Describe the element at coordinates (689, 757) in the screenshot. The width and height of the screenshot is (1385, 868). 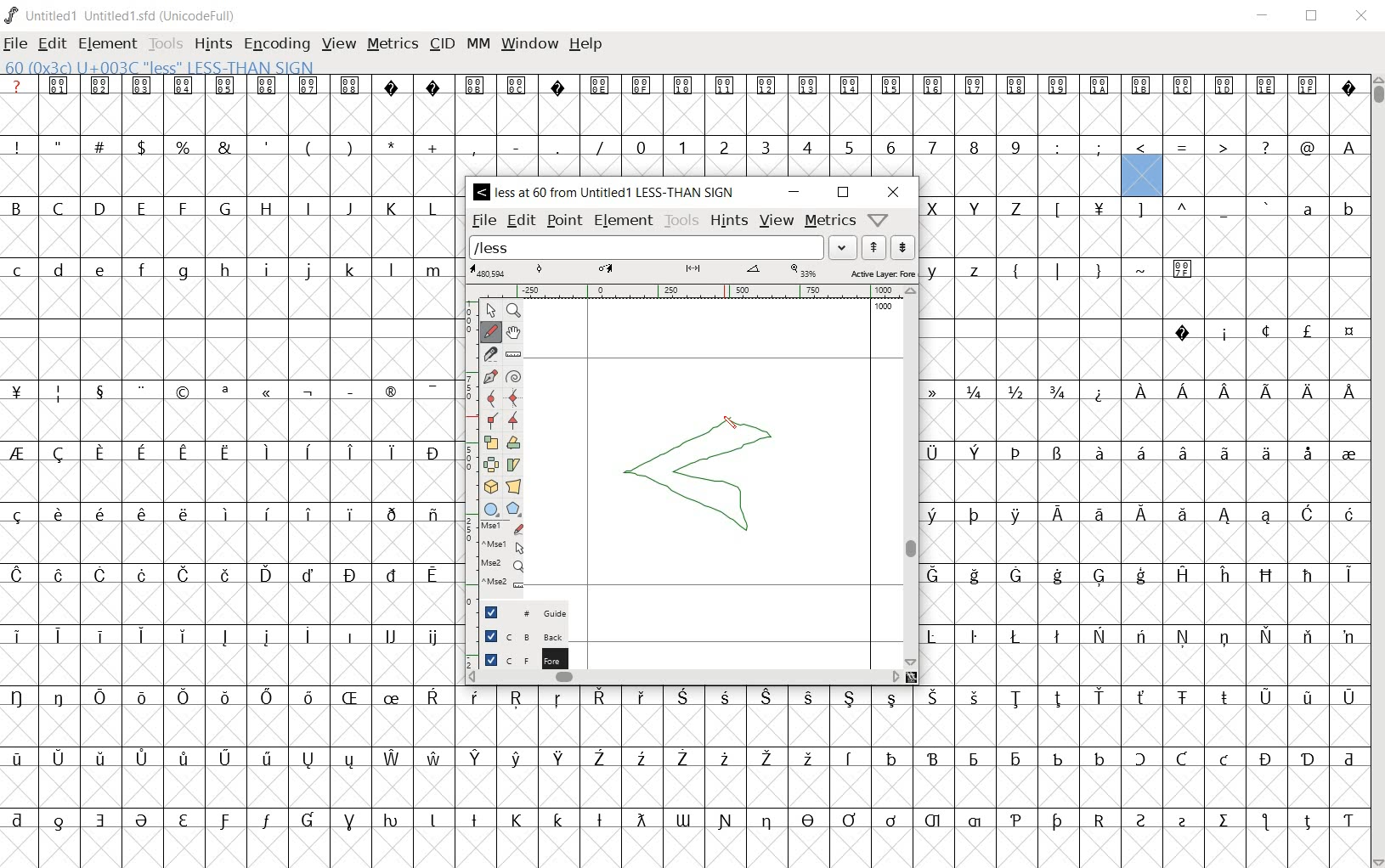
I see `special letters` at that location.